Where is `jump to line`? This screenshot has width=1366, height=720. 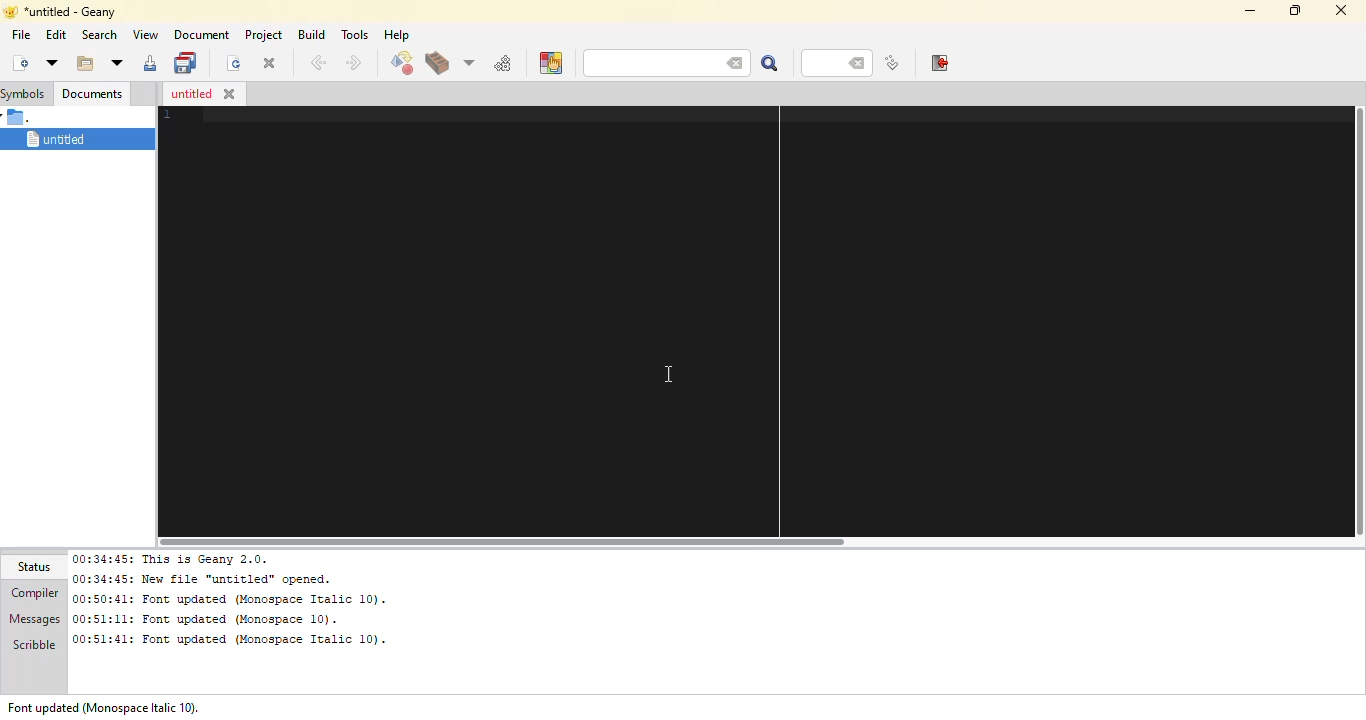 jump to line is located at coordinates (890, 64).